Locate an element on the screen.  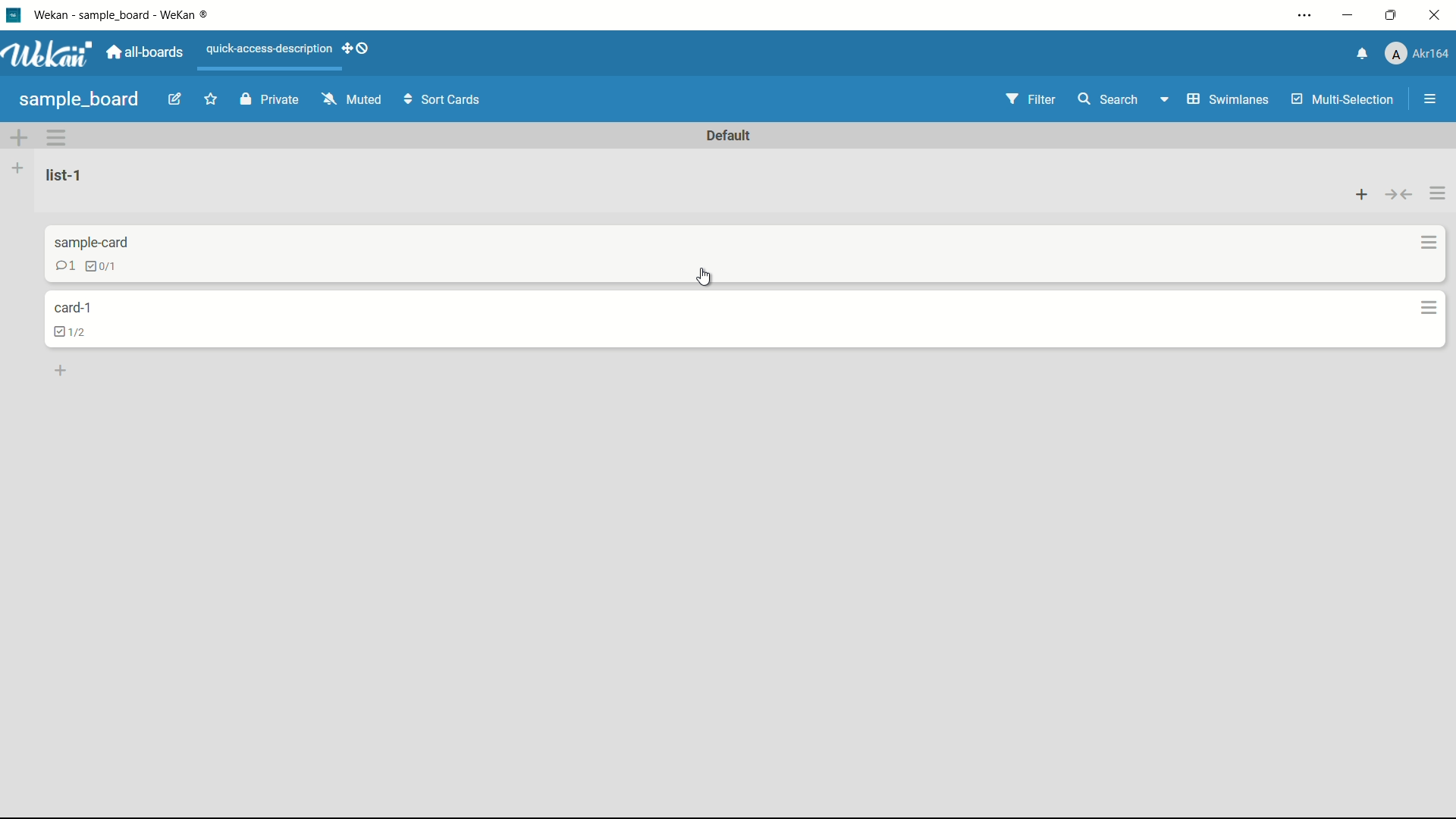
app name is located at coordinates (130, 15).